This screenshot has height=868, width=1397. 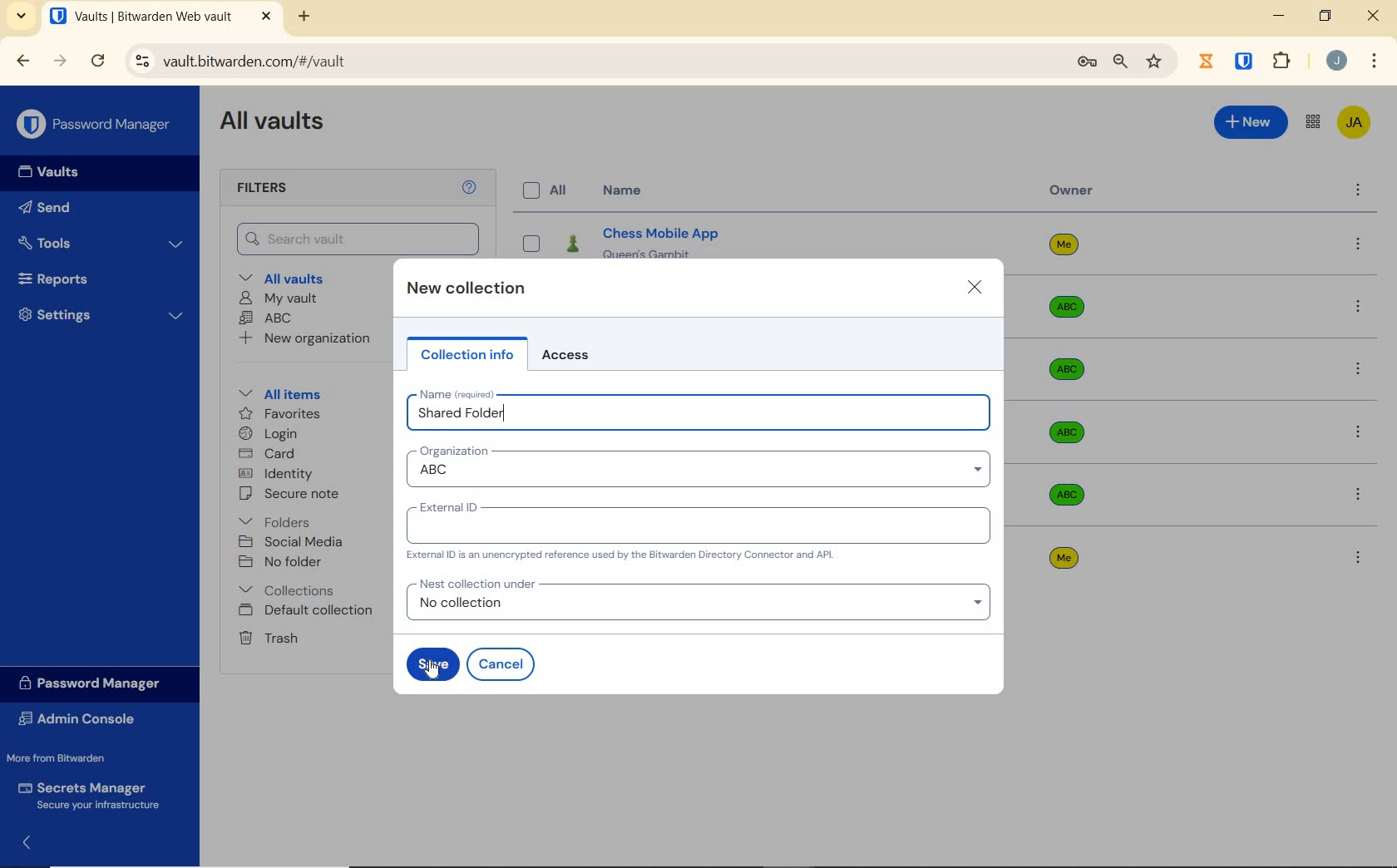 What do you see at coordinates (281, 394) in the screenshot?
I see `All items` at bounding box center [281, 394].